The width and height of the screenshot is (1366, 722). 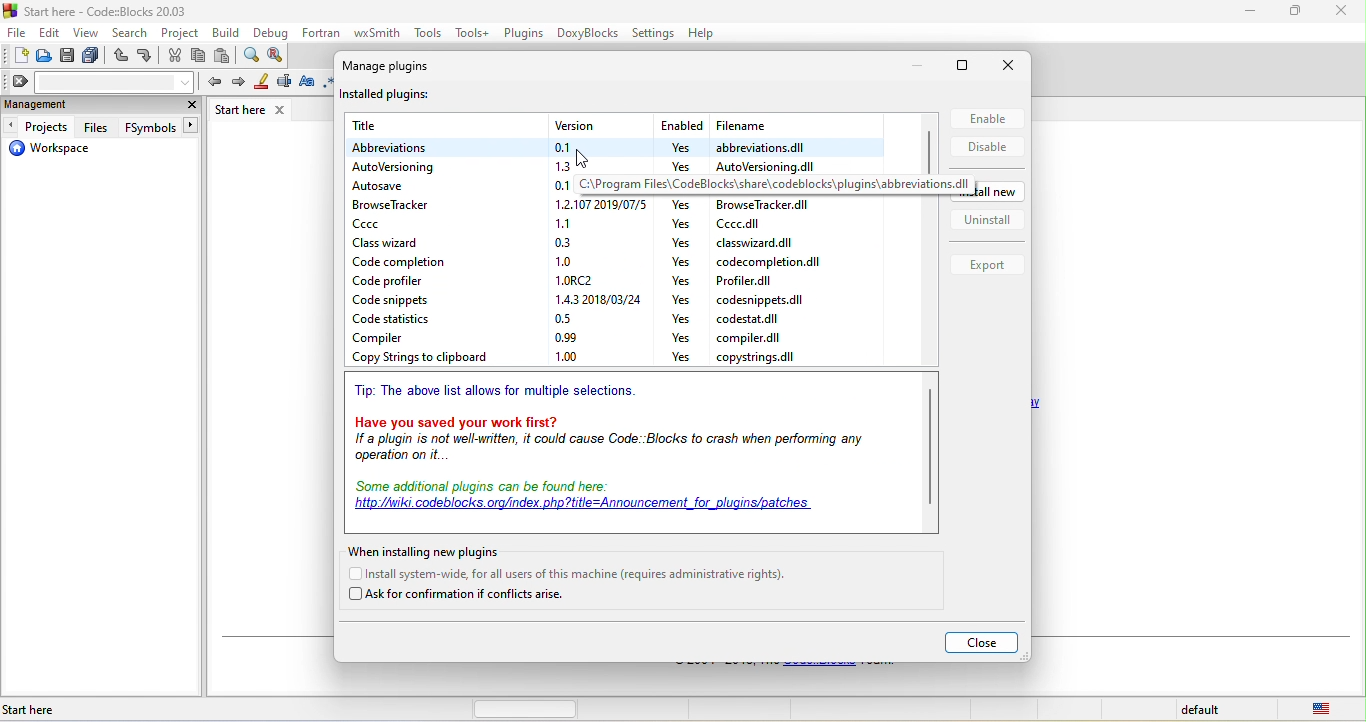 What do you see at coordinates (175, 55) in the screenshot?
I see `cut` at bounding box center [175, 55].